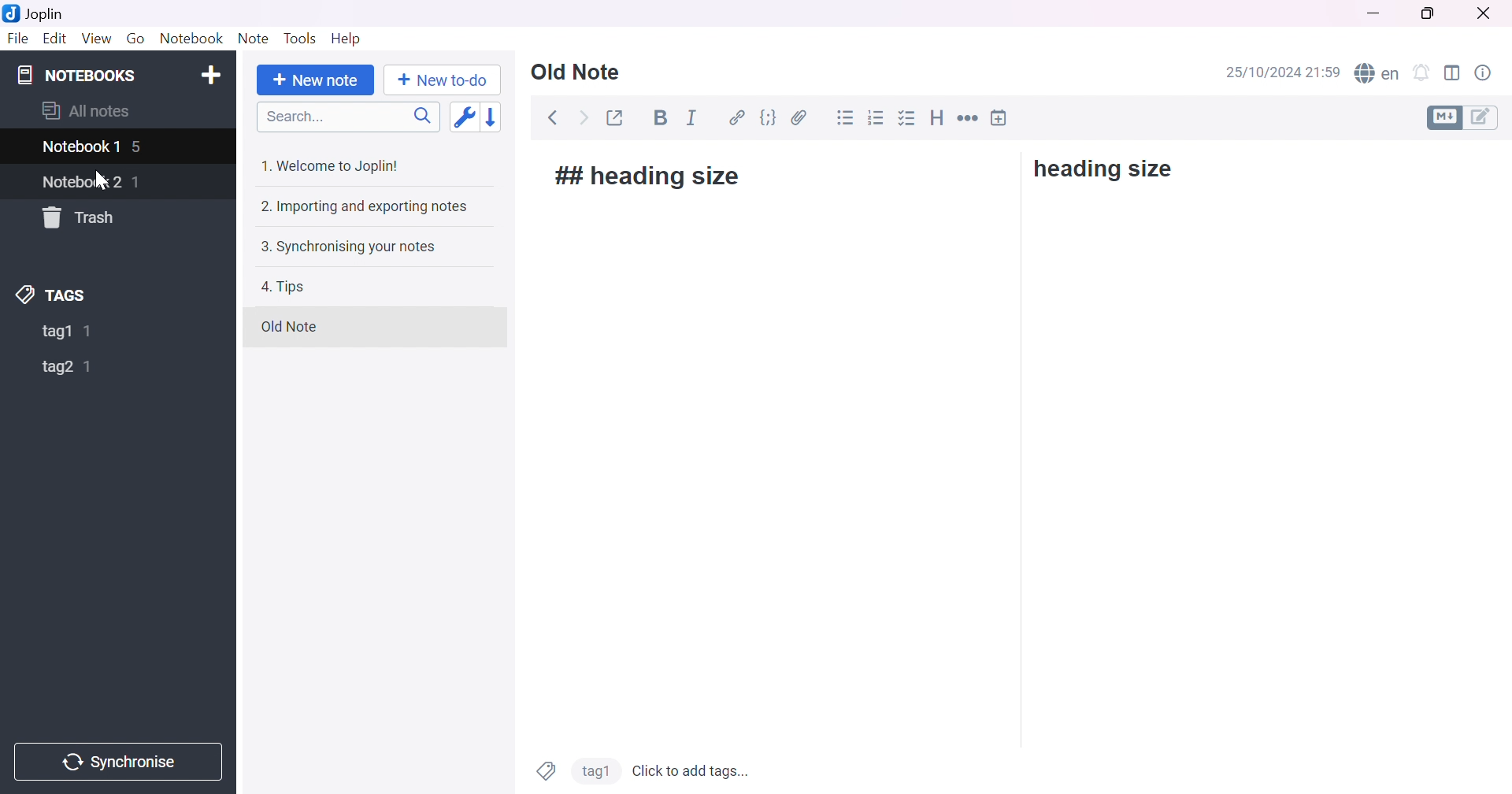  I want to click on Horizontal rule, so click(969, 120).